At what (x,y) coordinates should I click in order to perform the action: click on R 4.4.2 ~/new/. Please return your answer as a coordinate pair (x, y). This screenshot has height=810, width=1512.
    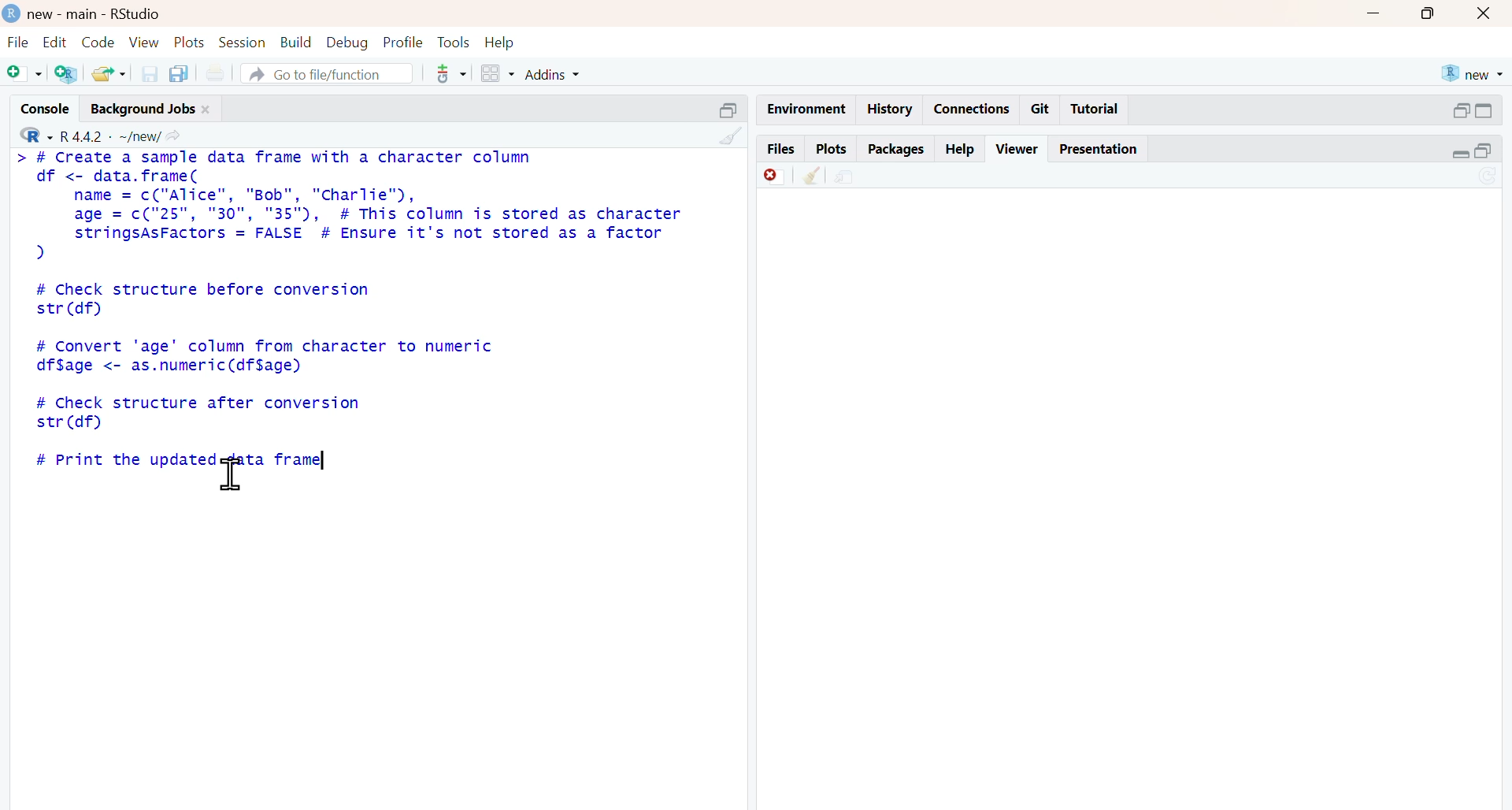
    Looking at the image, I should click on (111, 137).